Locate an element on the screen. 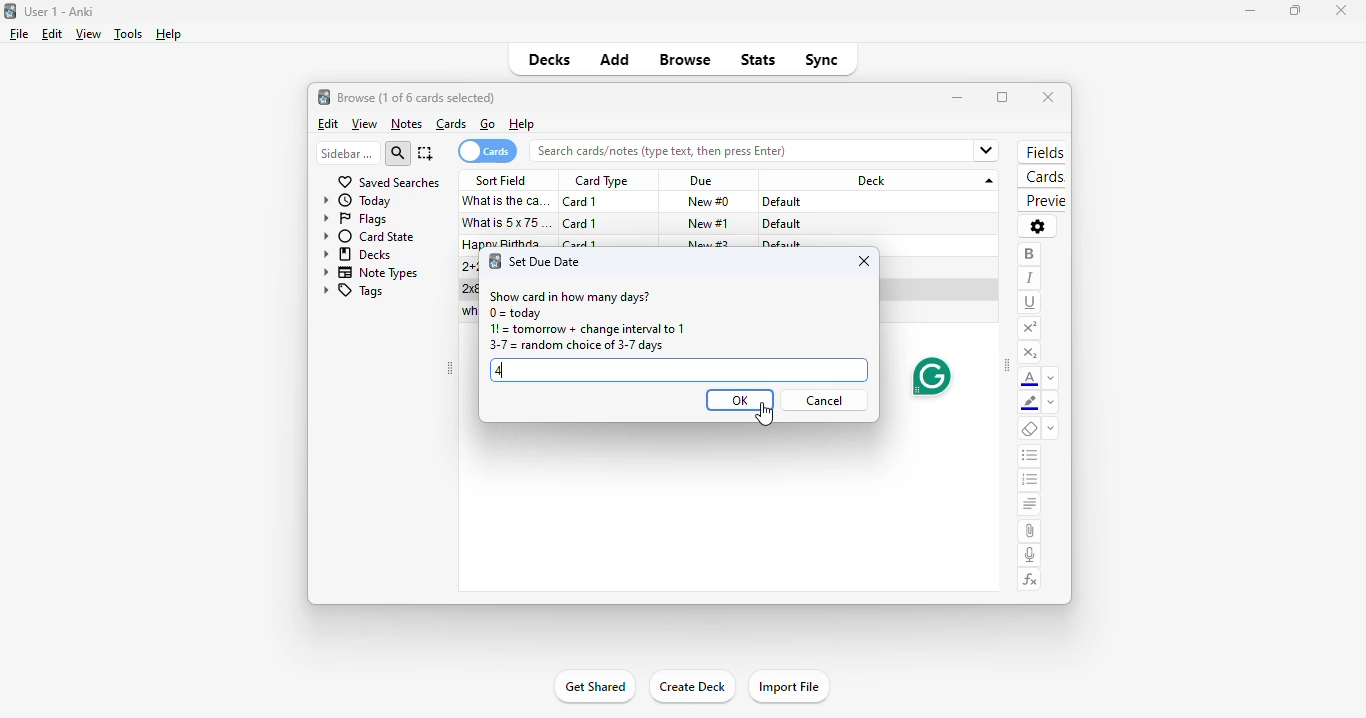  cards is located at coordinates (487, 151).